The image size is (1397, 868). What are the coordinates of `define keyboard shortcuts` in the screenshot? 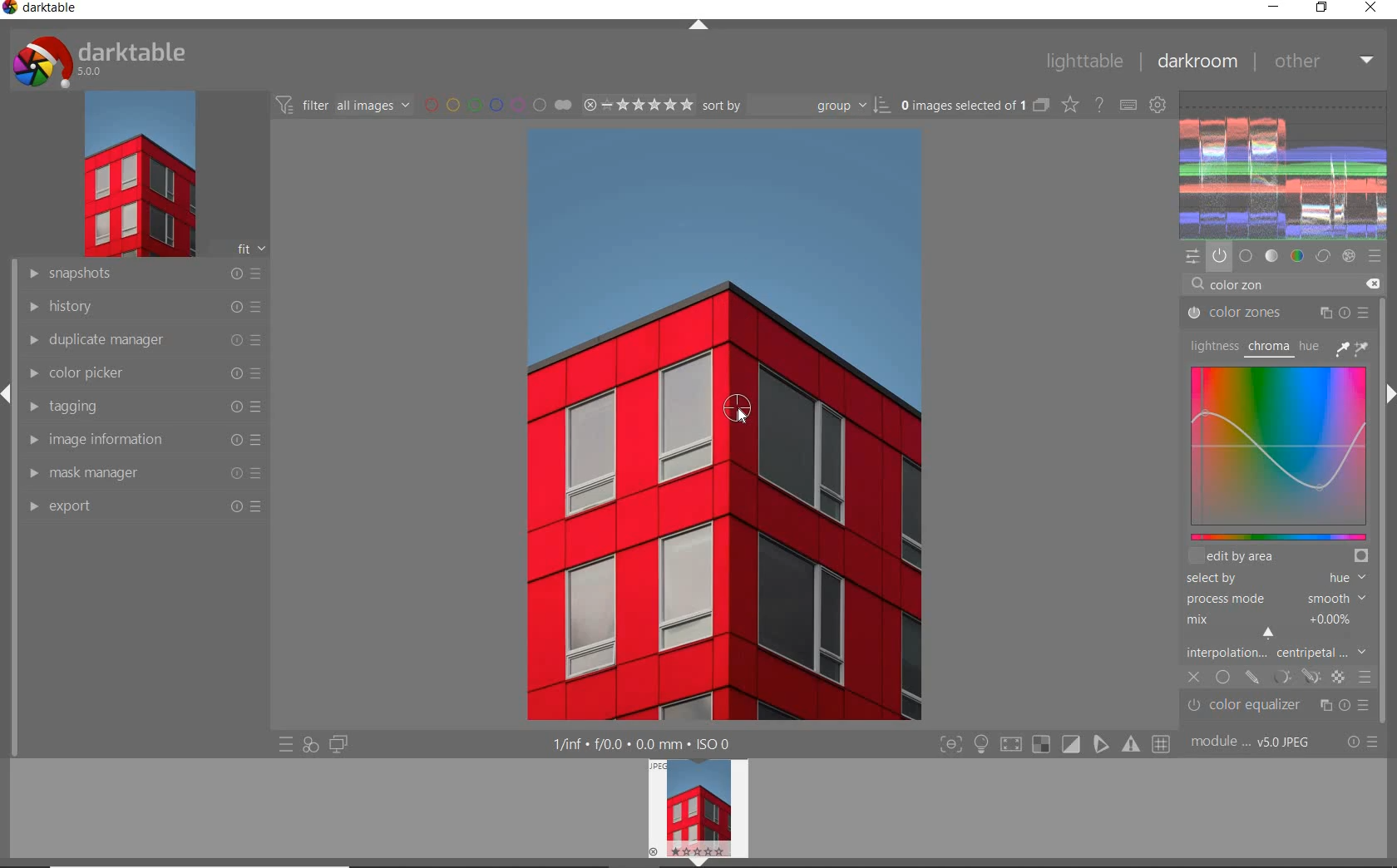 It's located at (1129, 105).